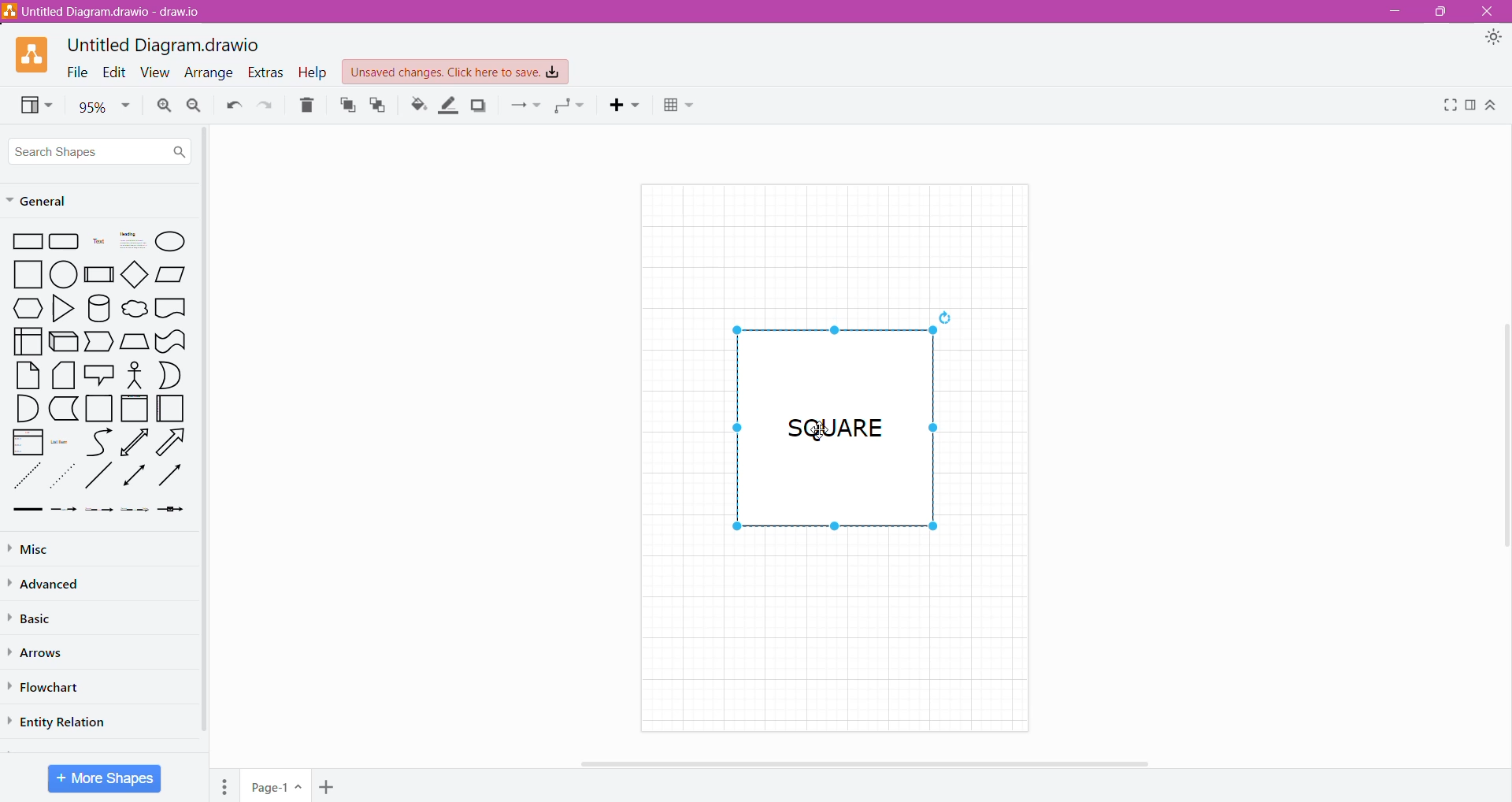 The image size is (1512, 802). What do you see at coordinates (40, 549) in the screenshot?
I see `Misc` at bounding box center [40, 549].